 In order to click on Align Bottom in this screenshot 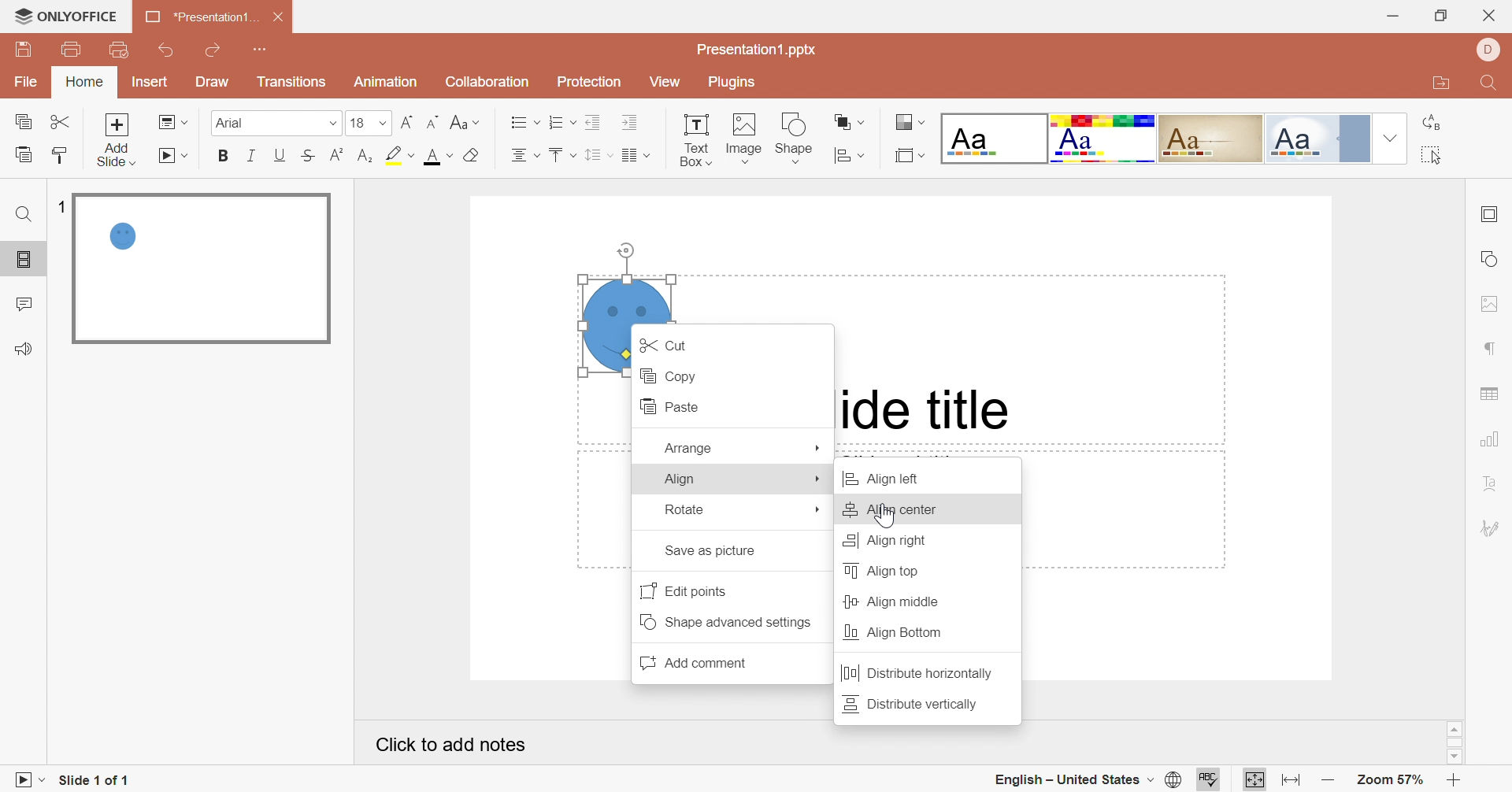, I will do `click(895, 631)`.